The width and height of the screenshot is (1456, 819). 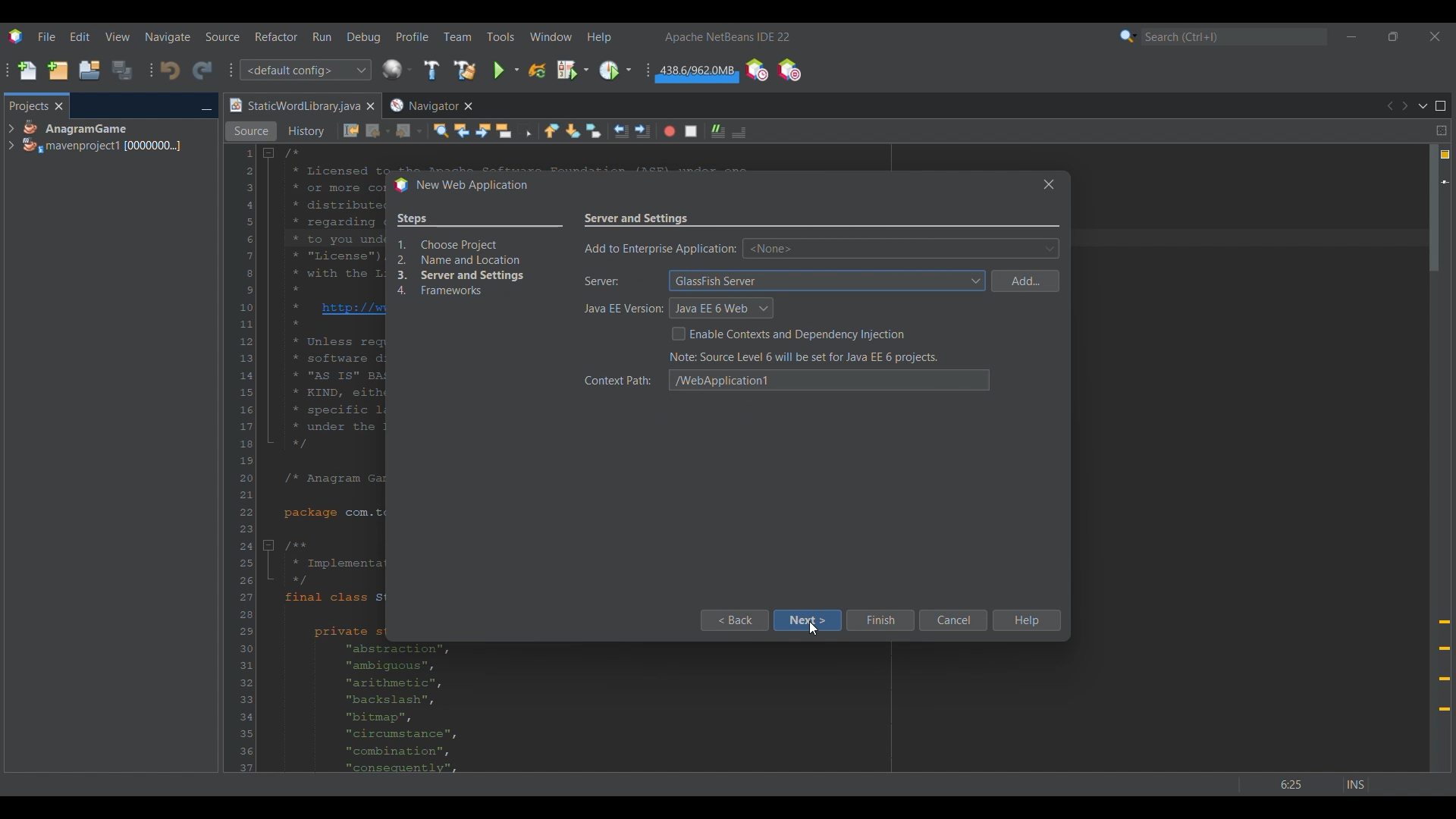 What do you see at coordinates (351, 130) in the screenshot?
I see `Last edit` at bounding box center [351, 130].